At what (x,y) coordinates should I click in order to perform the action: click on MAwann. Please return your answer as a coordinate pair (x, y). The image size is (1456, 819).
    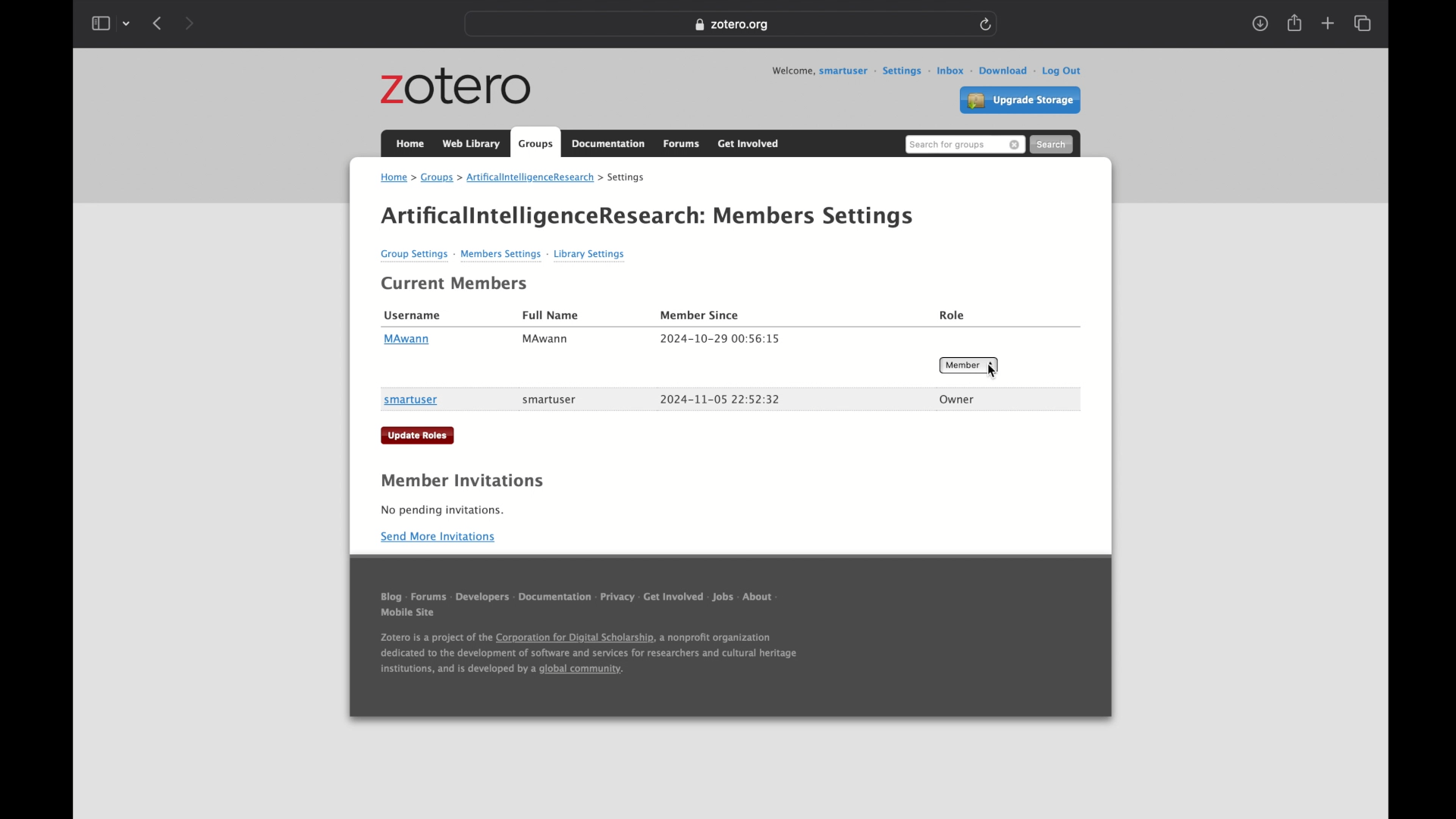
    Looking at the image, I should click on (546, 340).